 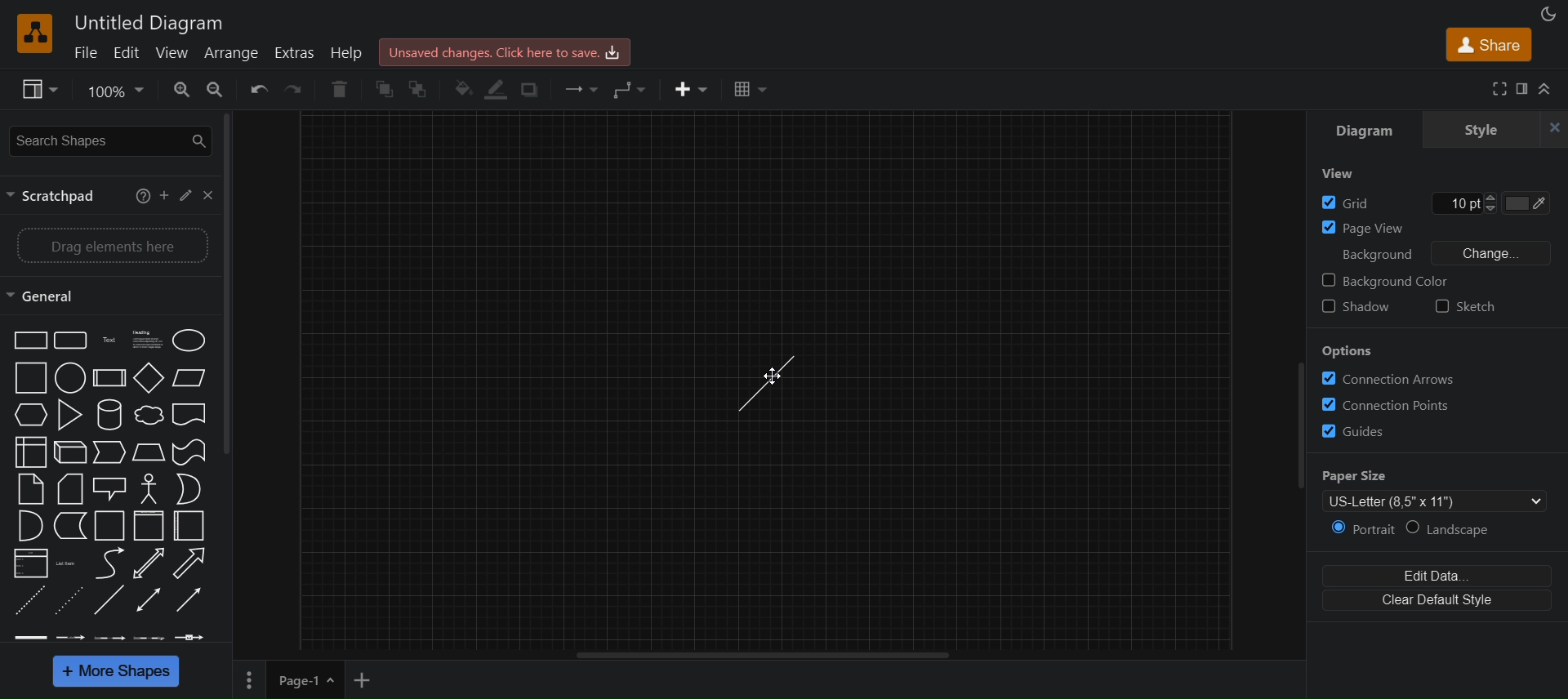 What do you see at coordinates (25, 602) in the screenshot?
I see `dashed line` at bounding box center [25, 602].